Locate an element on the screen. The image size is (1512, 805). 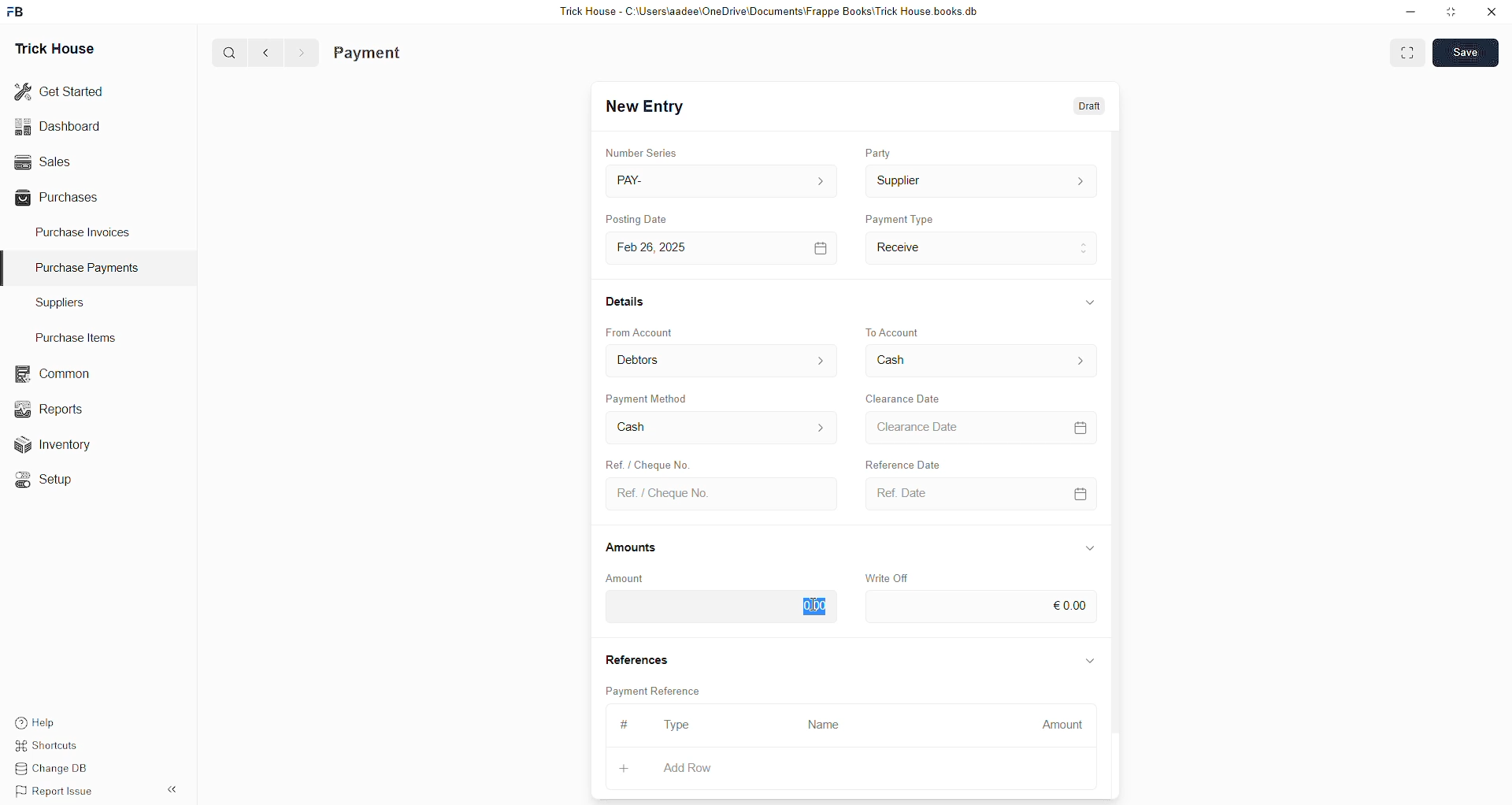
To Account  is located at coordinates (978, 362).